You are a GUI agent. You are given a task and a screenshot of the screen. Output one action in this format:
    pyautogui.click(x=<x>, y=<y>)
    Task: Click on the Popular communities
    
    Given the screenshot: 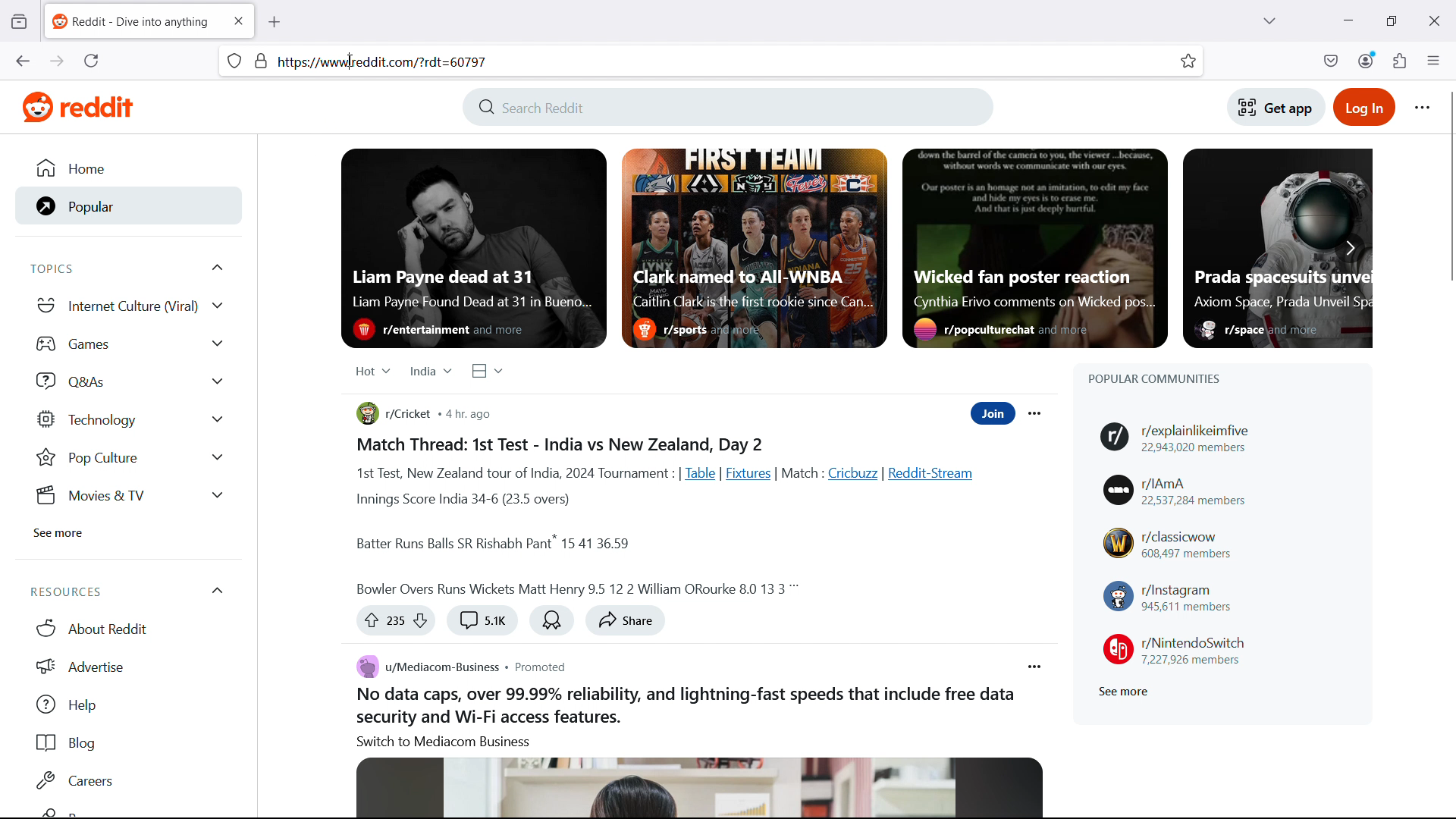 What is the action you would take?
    pyautogui.click(x=1154, y=378)
    